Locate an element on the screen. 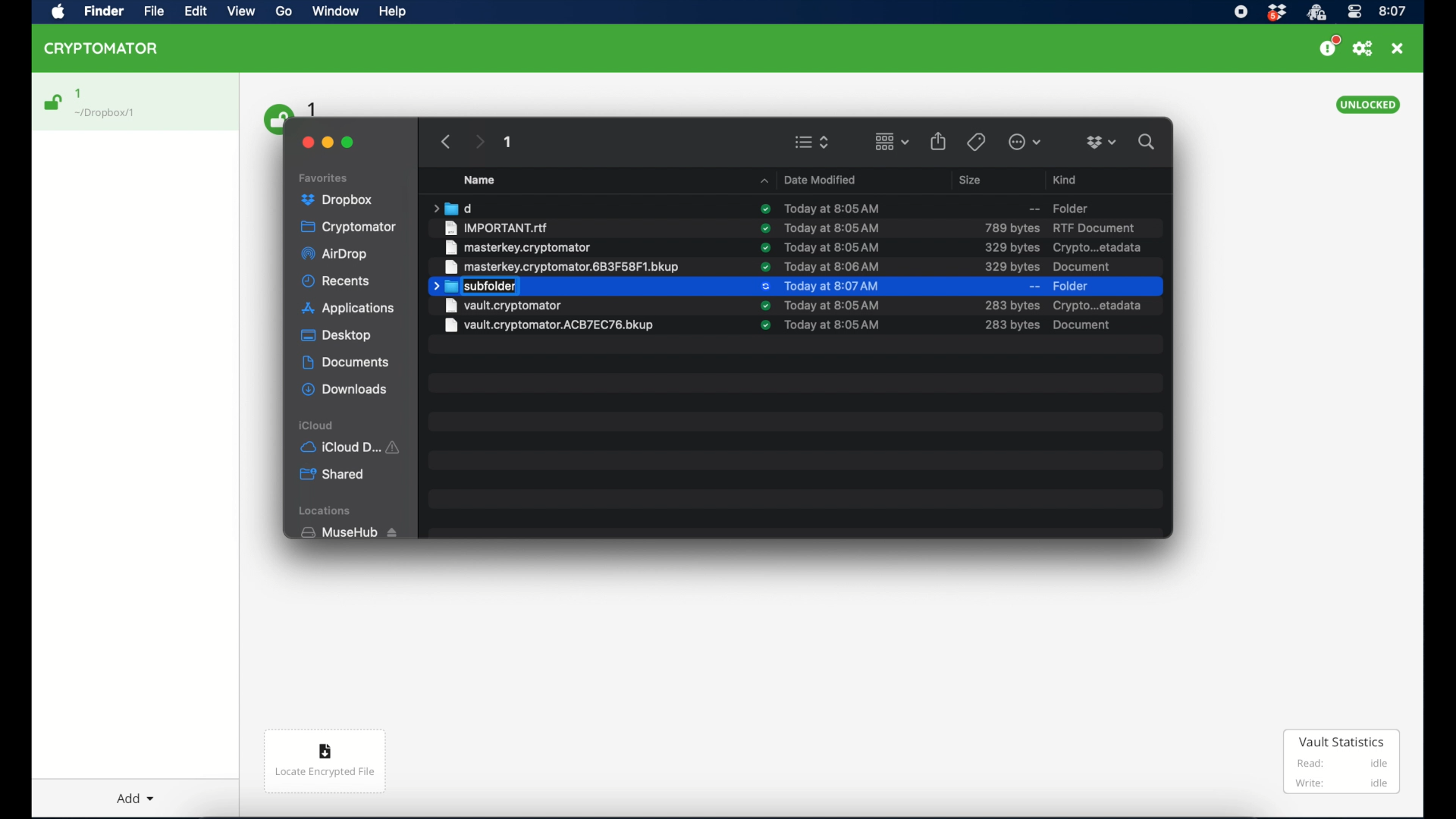 The height and width of the screenshot is (819, 1456). sync is located at coordinates (764, 247).